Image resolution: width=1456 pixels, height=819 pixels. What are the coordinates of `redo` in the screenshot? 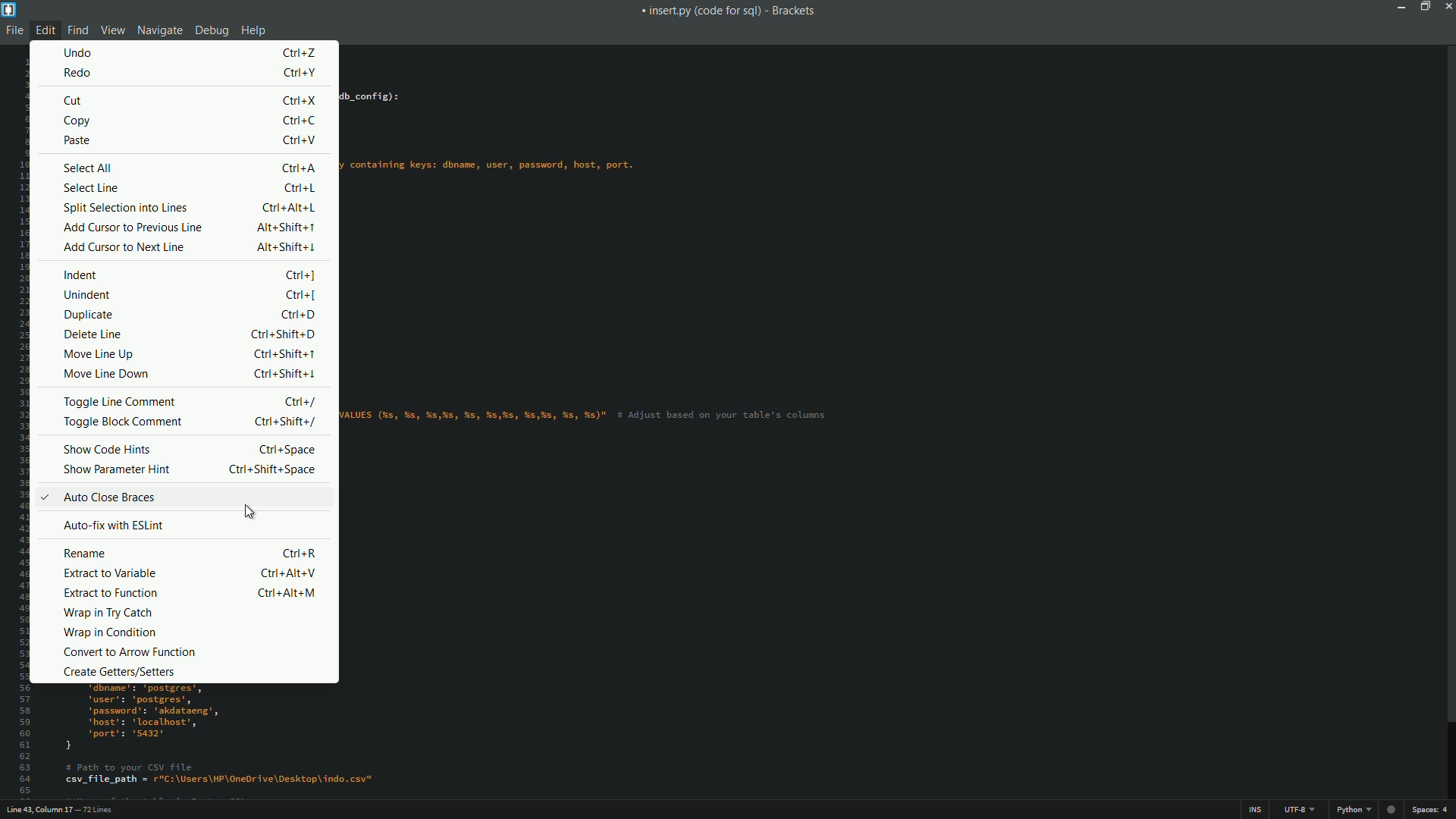 It's located at (79, 74).